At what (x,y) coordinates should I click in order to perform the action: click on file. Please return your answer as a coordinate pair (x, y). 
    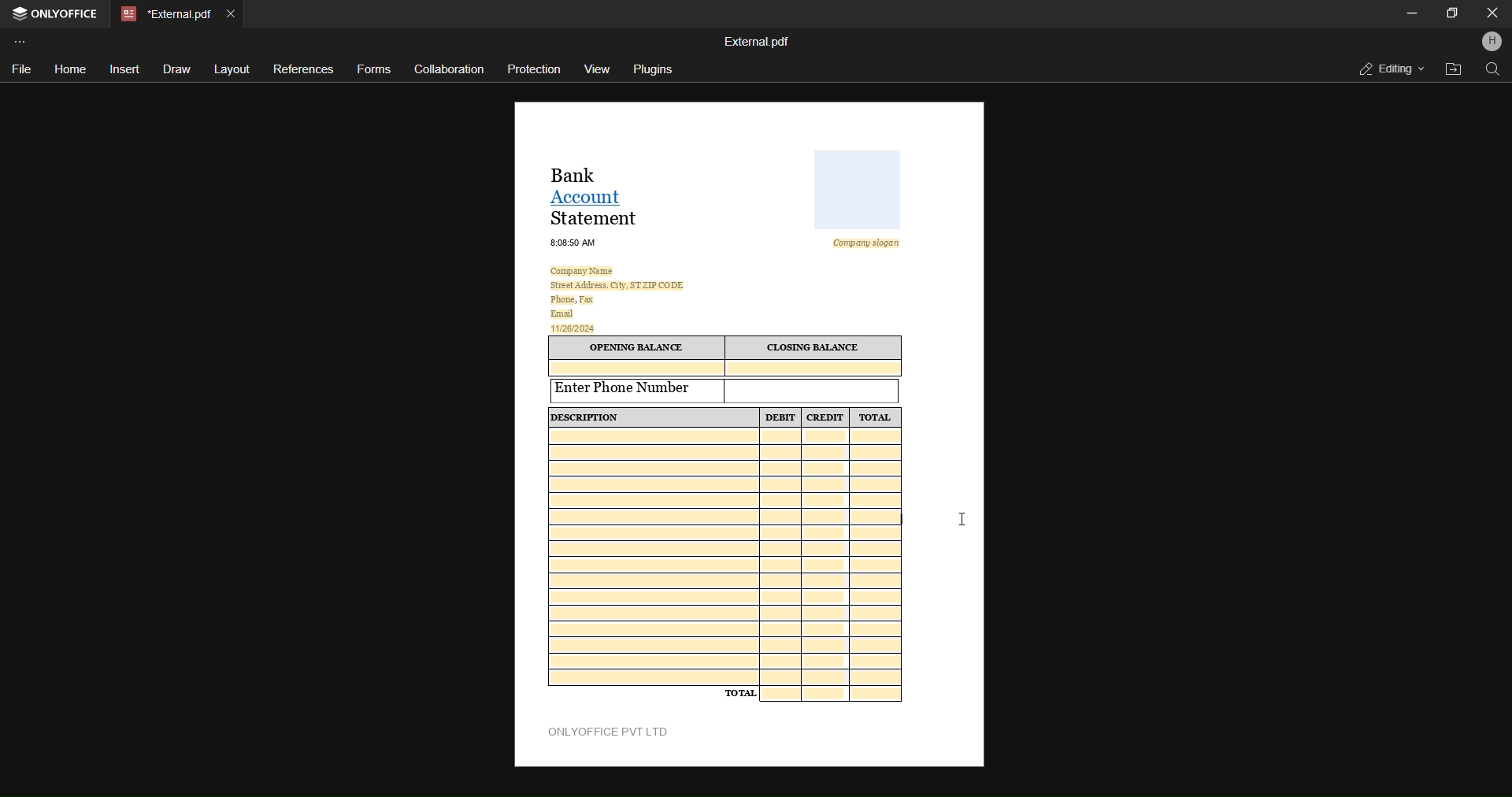
    Looking at the image, I should click on (19, 71).